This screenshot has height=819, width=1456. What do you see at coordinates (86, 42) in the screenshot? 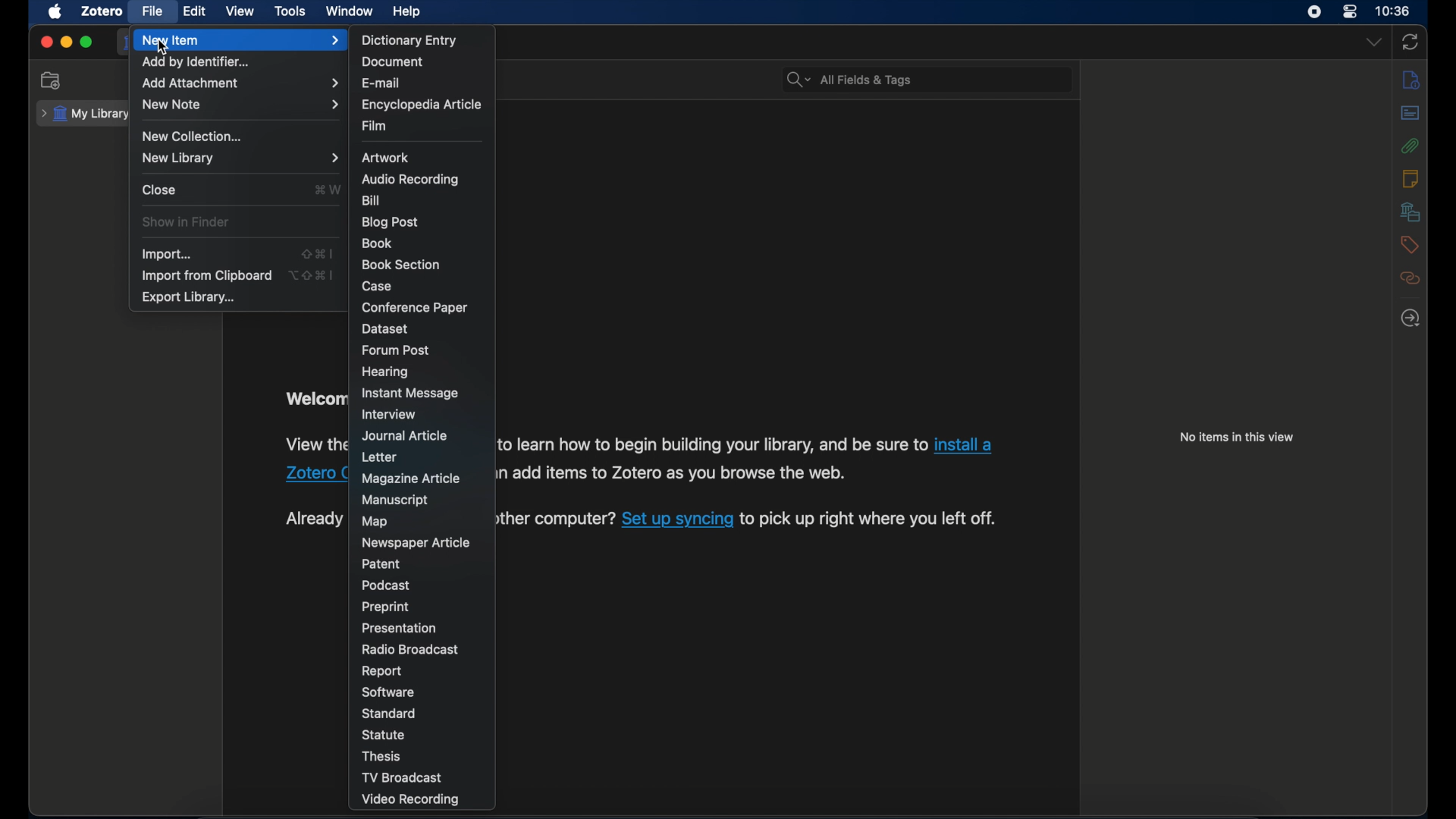
I see `maximize` at bounding box center [86, 42].